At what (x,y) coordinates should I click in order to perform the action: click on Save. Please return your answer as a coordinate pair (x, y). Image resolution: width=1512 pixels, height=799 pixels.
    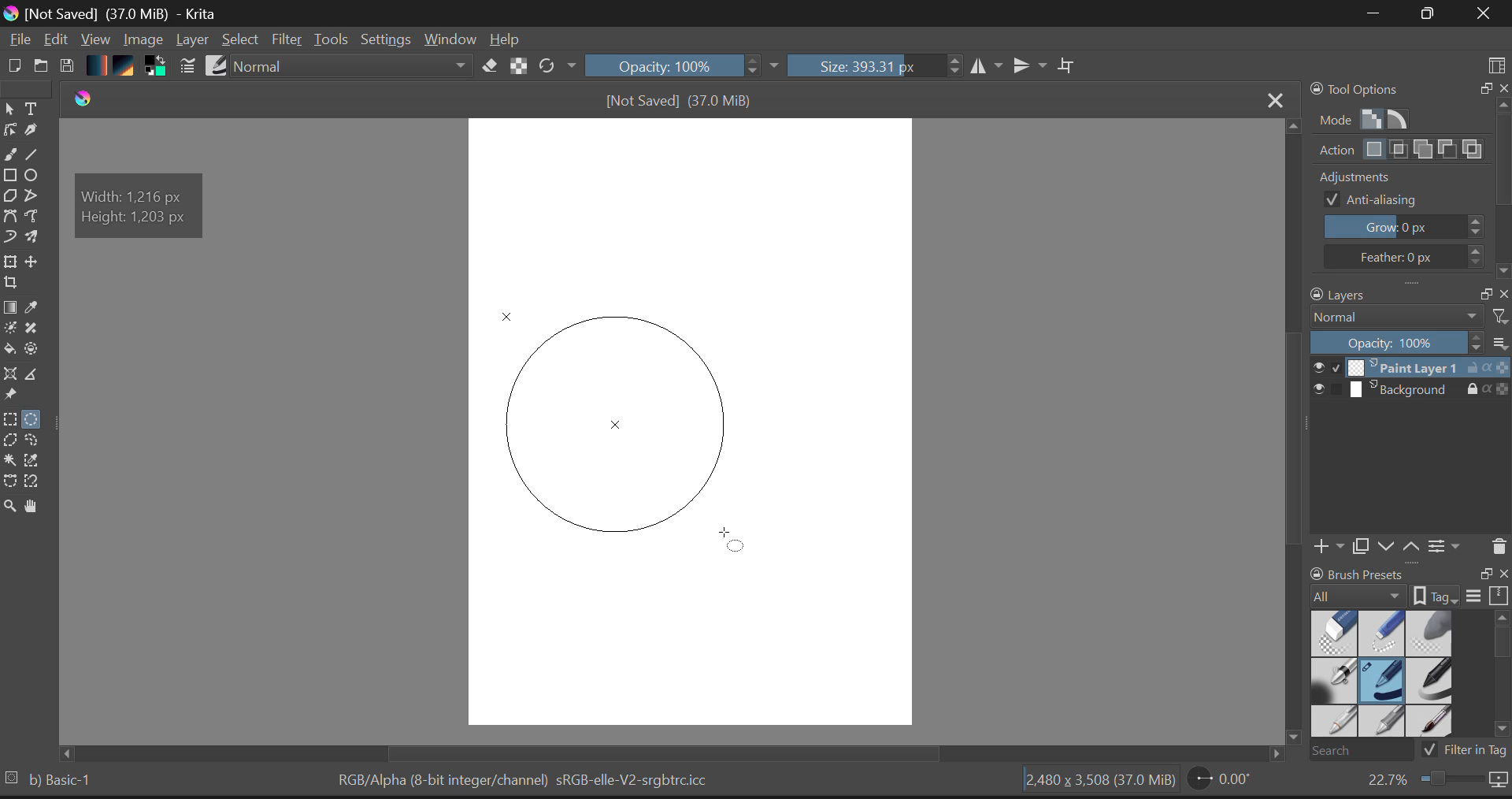
    Looking at the image, I should click on (69, 66).